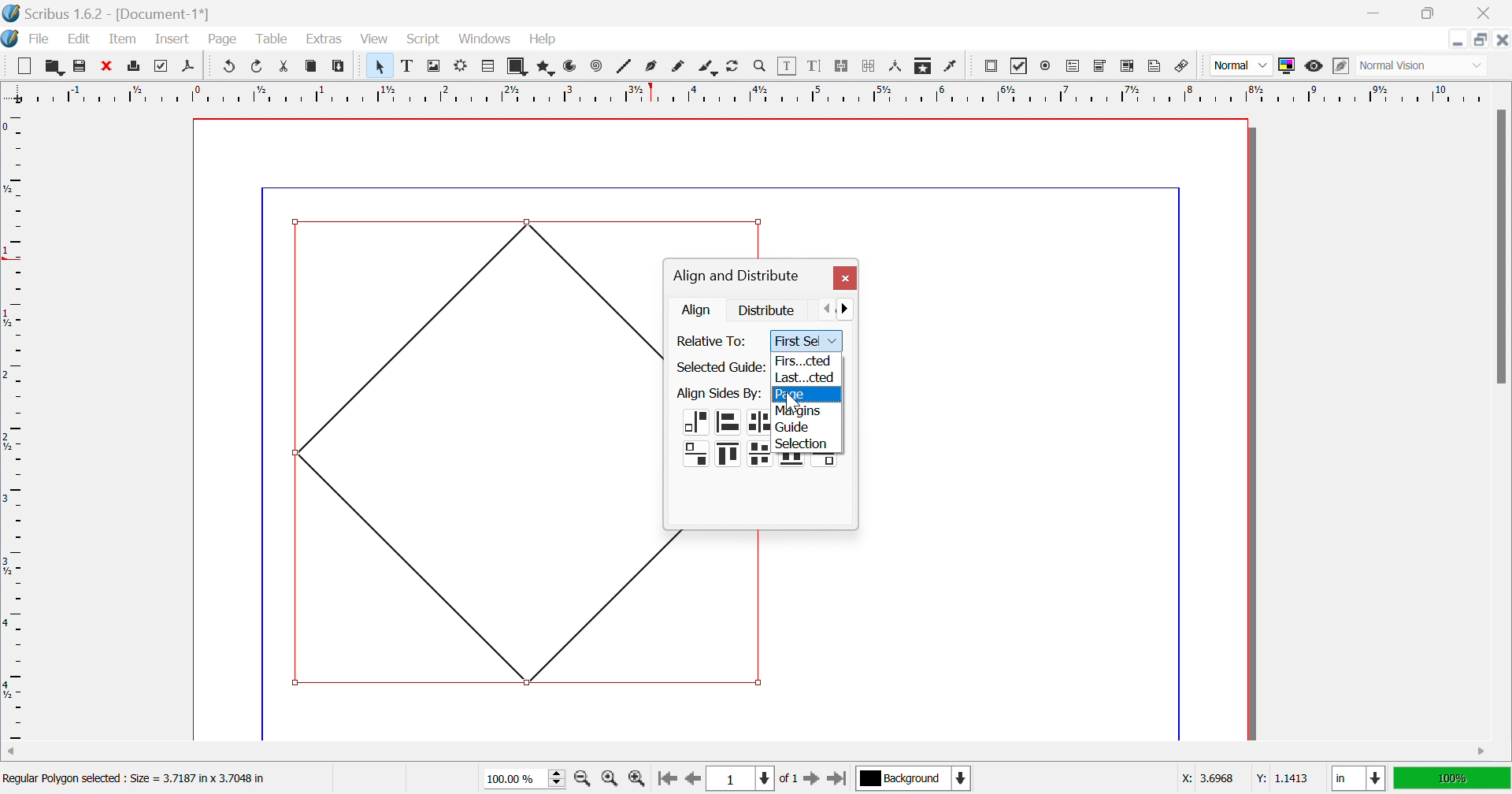 This screenshot has height=794, width=1512. What do you see at coordinates (794, 428) in the screenshot?
I see `Guide` at bounding box center [794, 428].